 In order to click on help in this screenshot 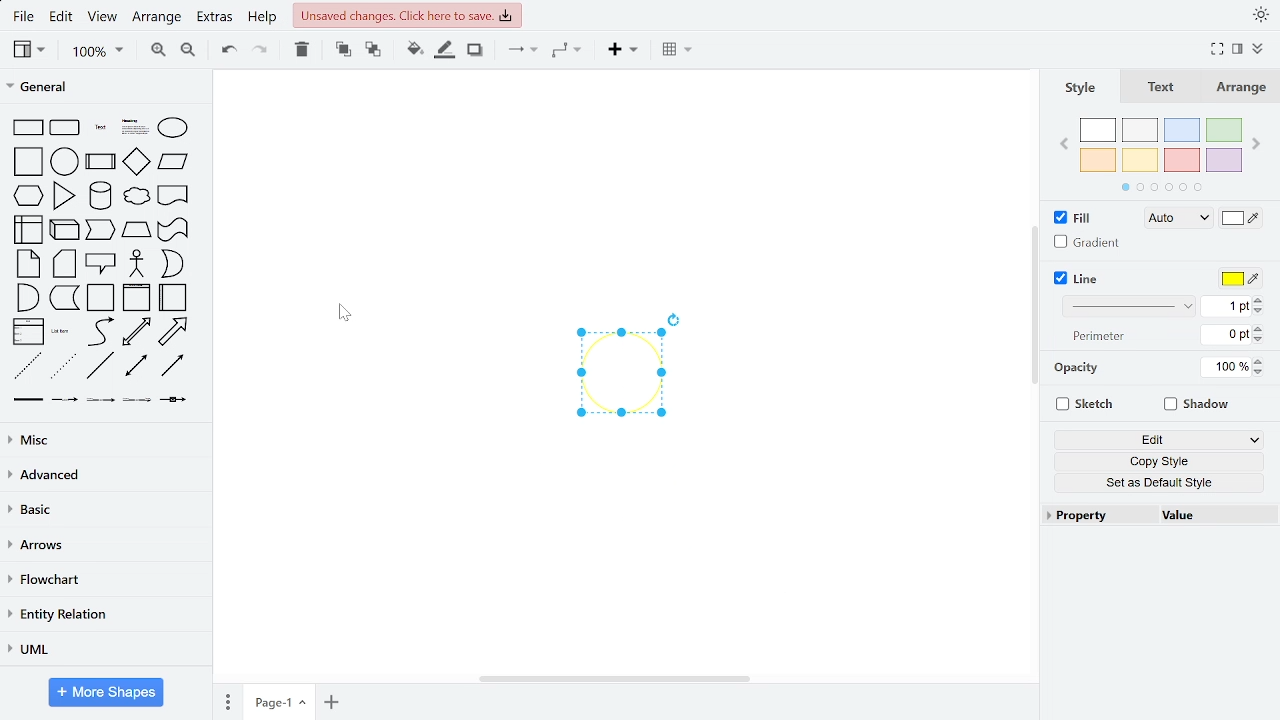, I will do `click(261, 18)`.